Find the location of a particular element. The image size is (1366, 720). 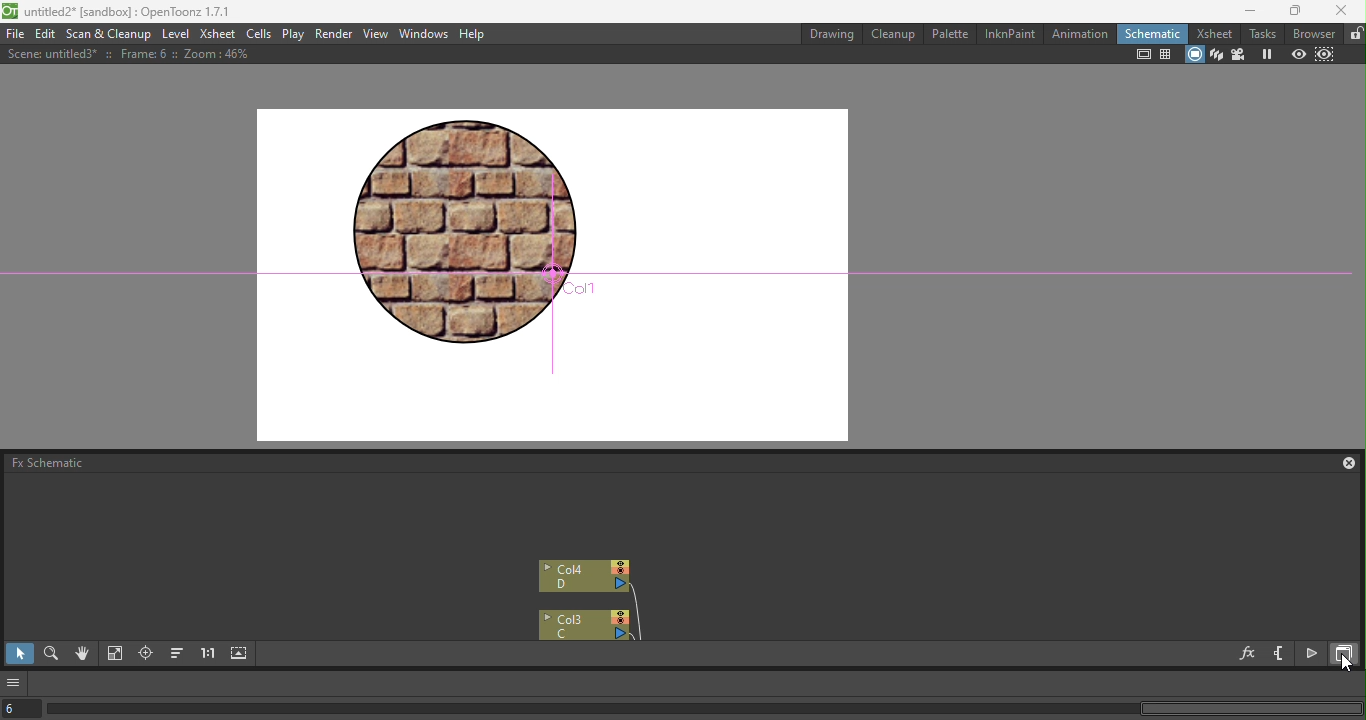

3D view is located at coordinates (1217, 55).